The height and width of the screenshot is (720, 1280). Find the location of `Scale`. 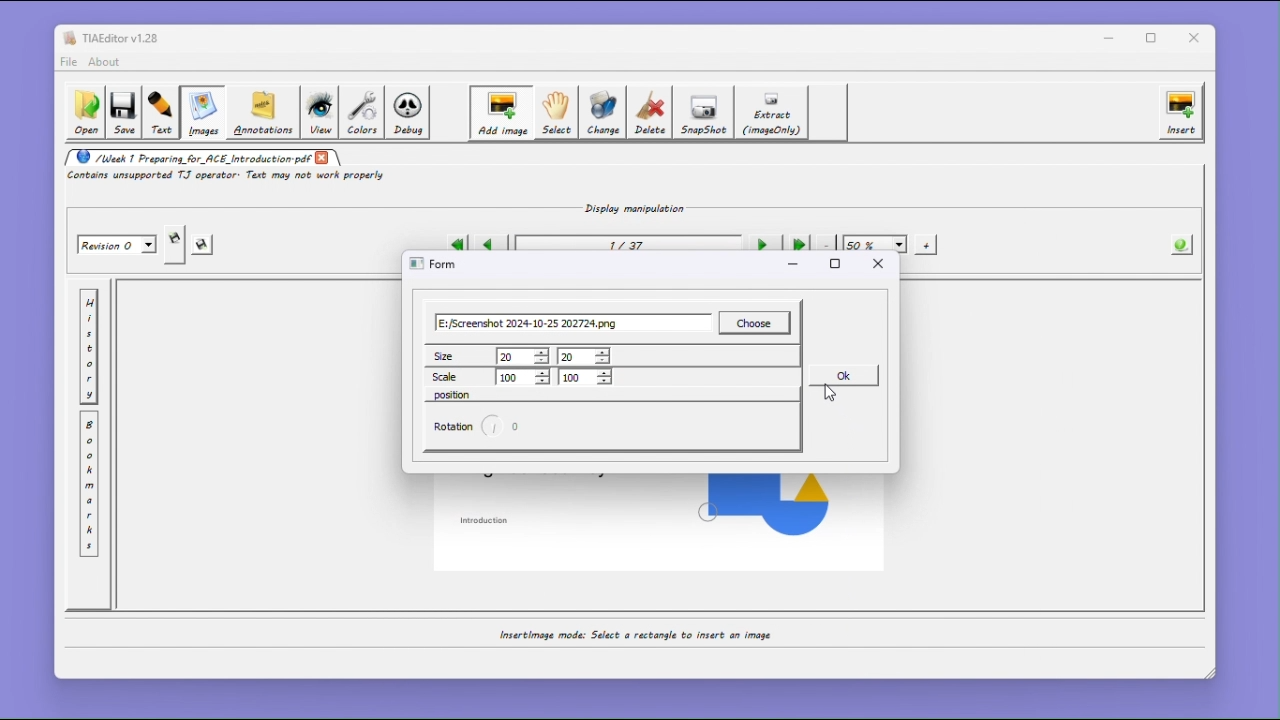

Scale is located at coordinates (459, 376).